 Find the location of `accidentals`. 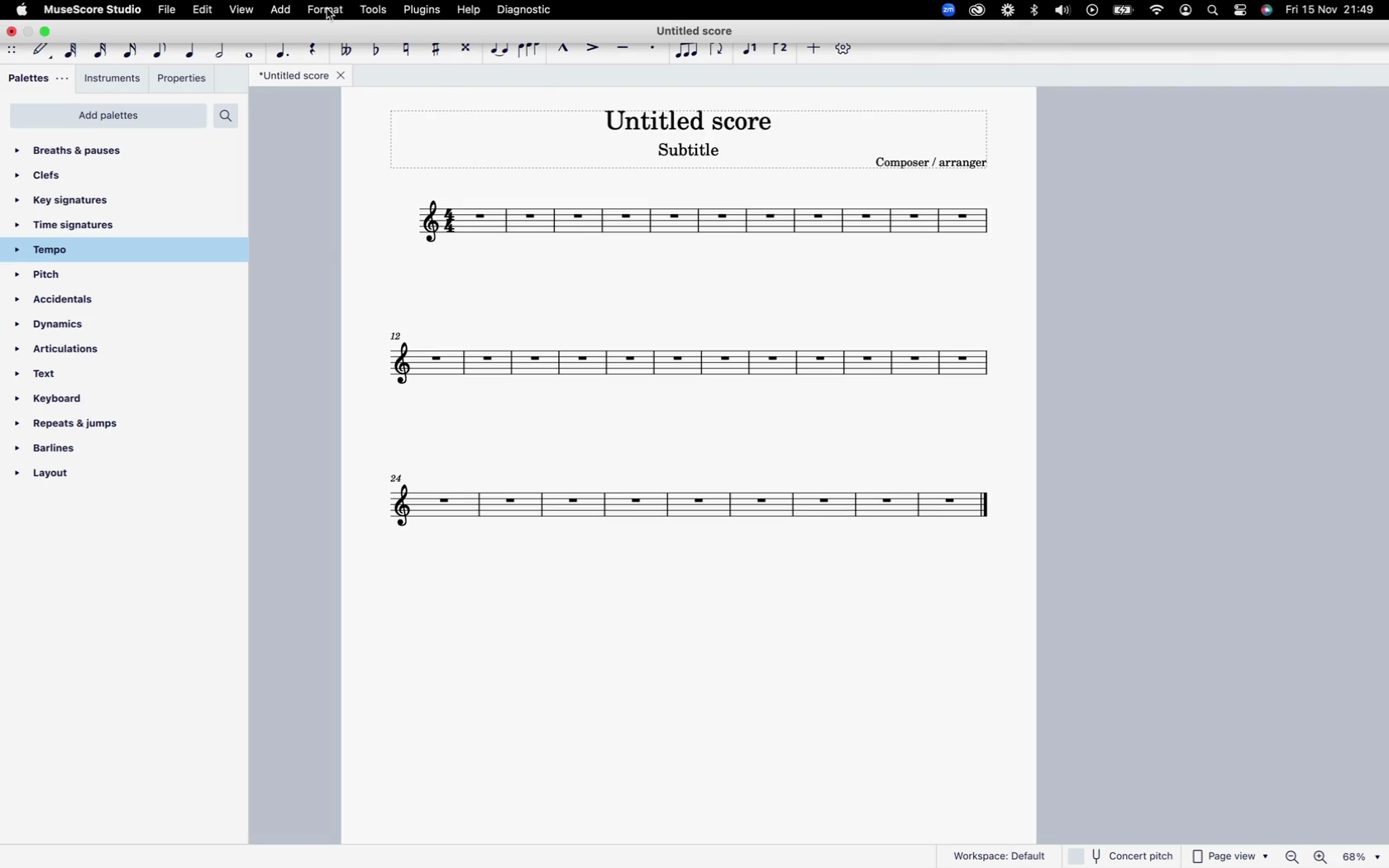

accidentals is located at coordinates (68, 303).